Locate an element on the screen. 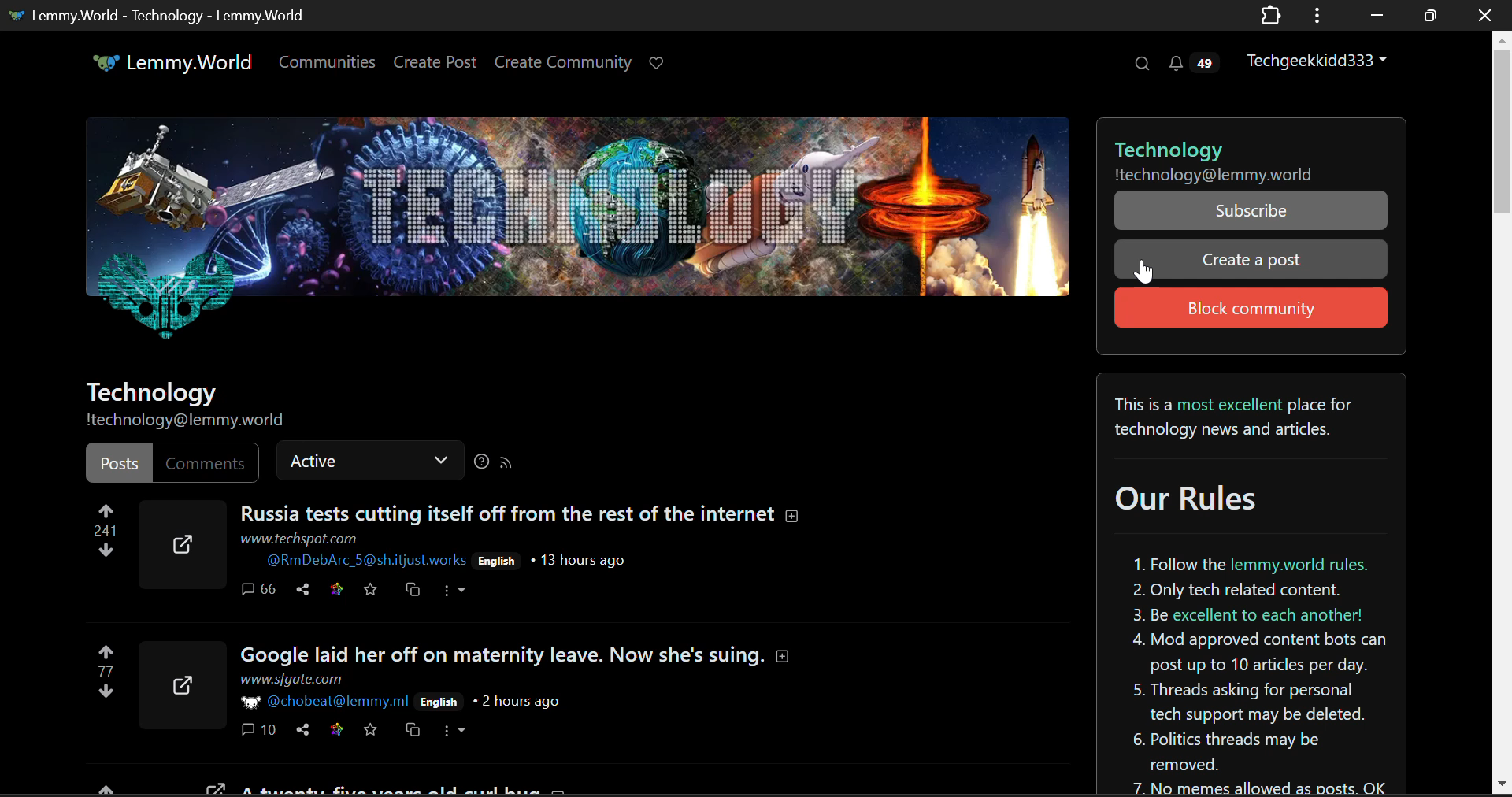 The image size is (1512, 797). Community Media is located at coordinates (577, 239).